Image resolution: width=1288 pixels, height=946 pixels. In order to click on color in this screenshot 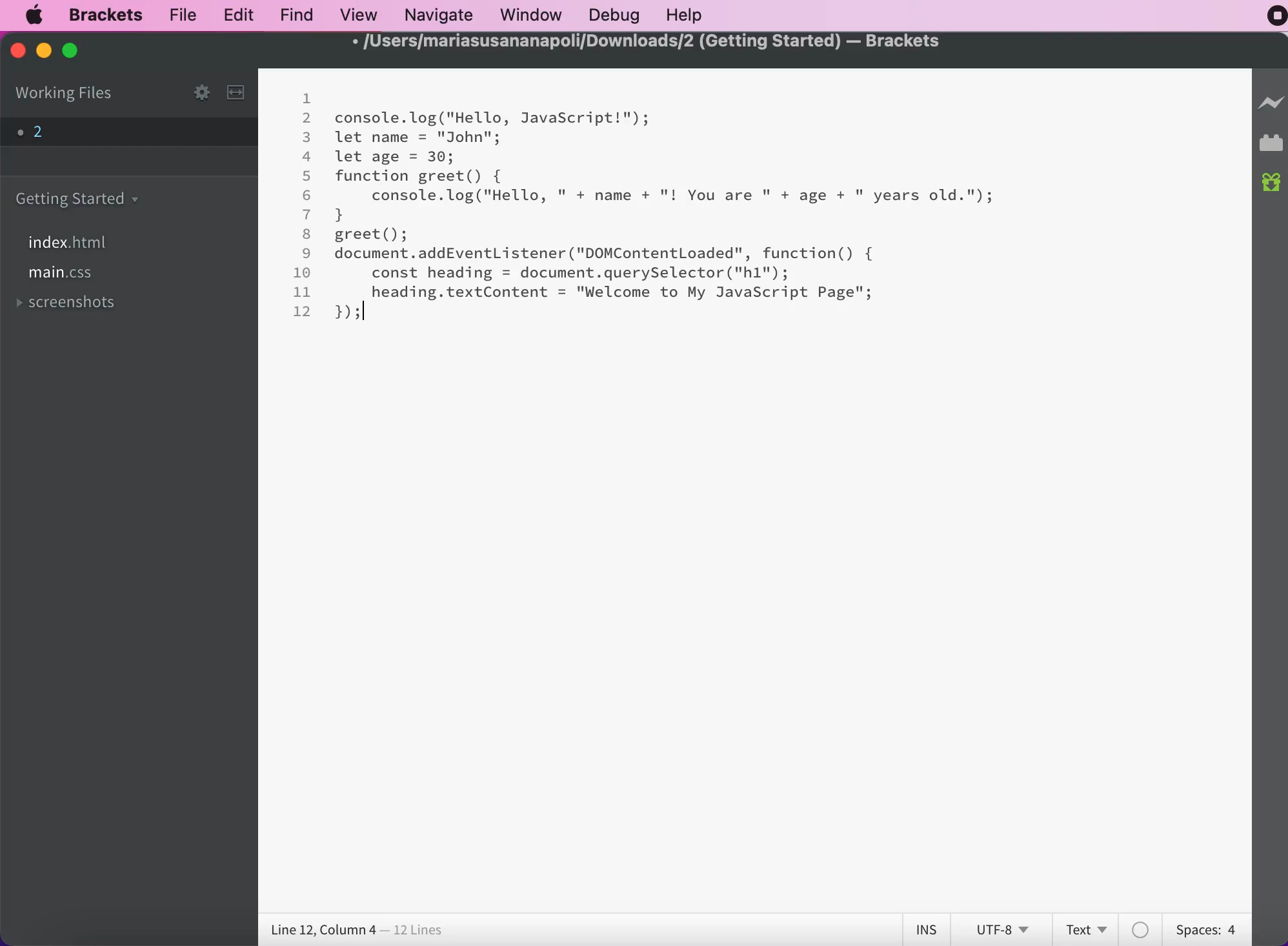, I will do `click(1143, 929)`.